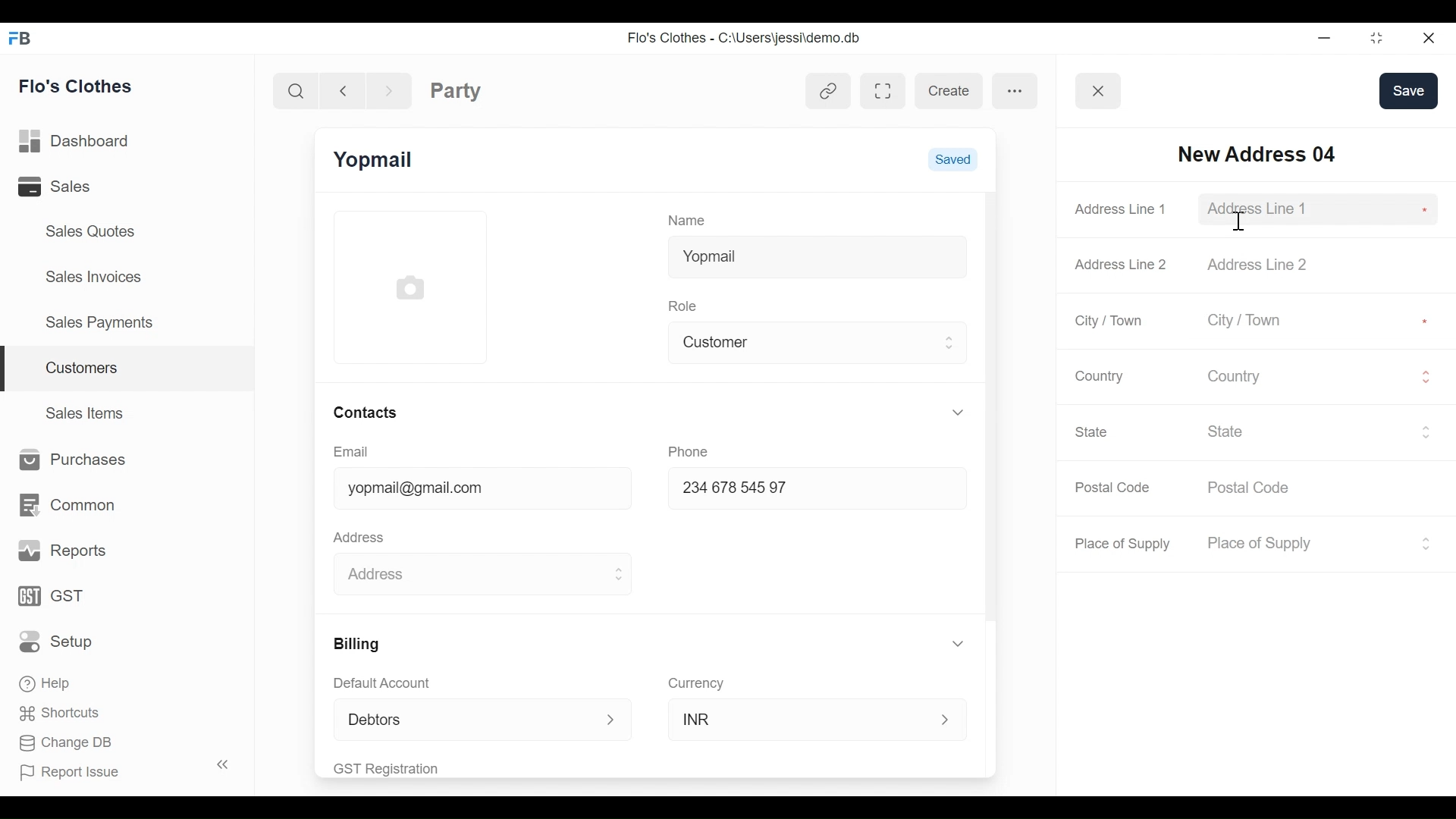 The width and height of the screenshot is (1456, 819). What do you see at coordinates (364, 412) in the screenshot?
I see `Contacts` at bounding box center [364, 412].